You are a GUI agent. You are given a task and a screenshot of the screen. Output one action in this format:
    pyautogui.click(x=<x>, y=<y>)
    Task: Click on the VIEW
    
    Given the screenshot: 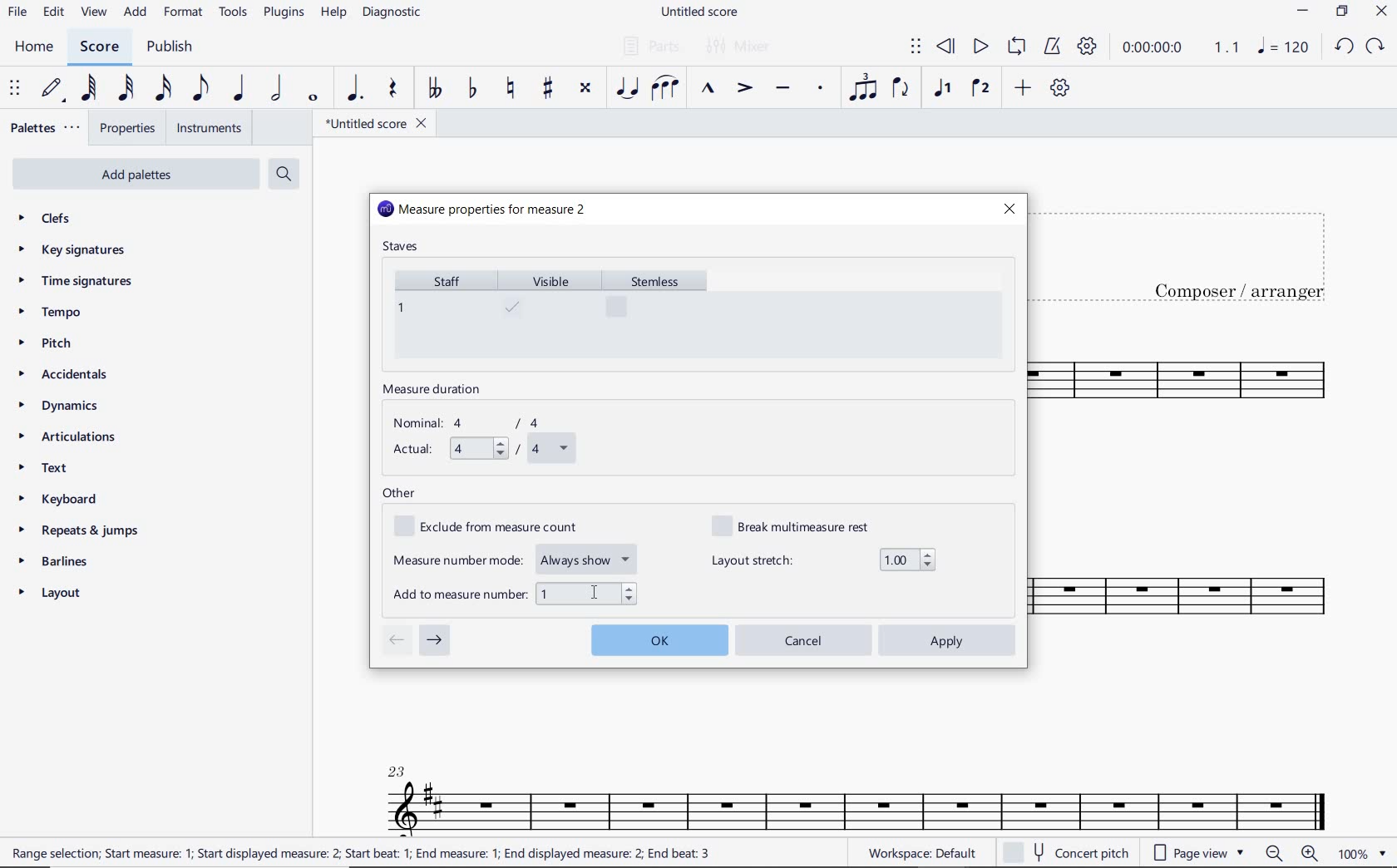 What is the action you would take?
    pyautogui.click(x=94, y=13)
    